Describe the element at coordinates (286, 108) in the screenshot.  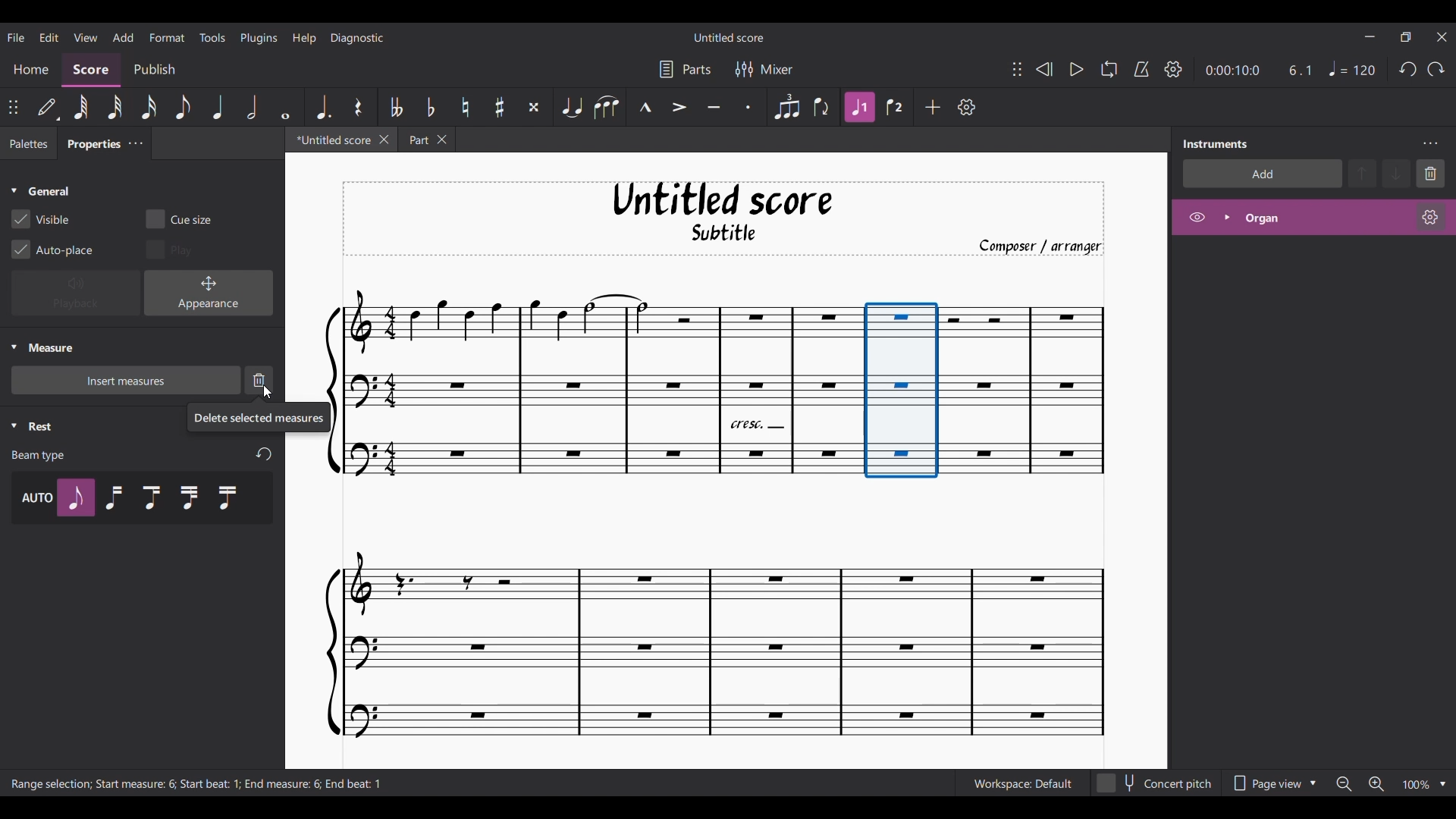
I see `Whole note` at that location.